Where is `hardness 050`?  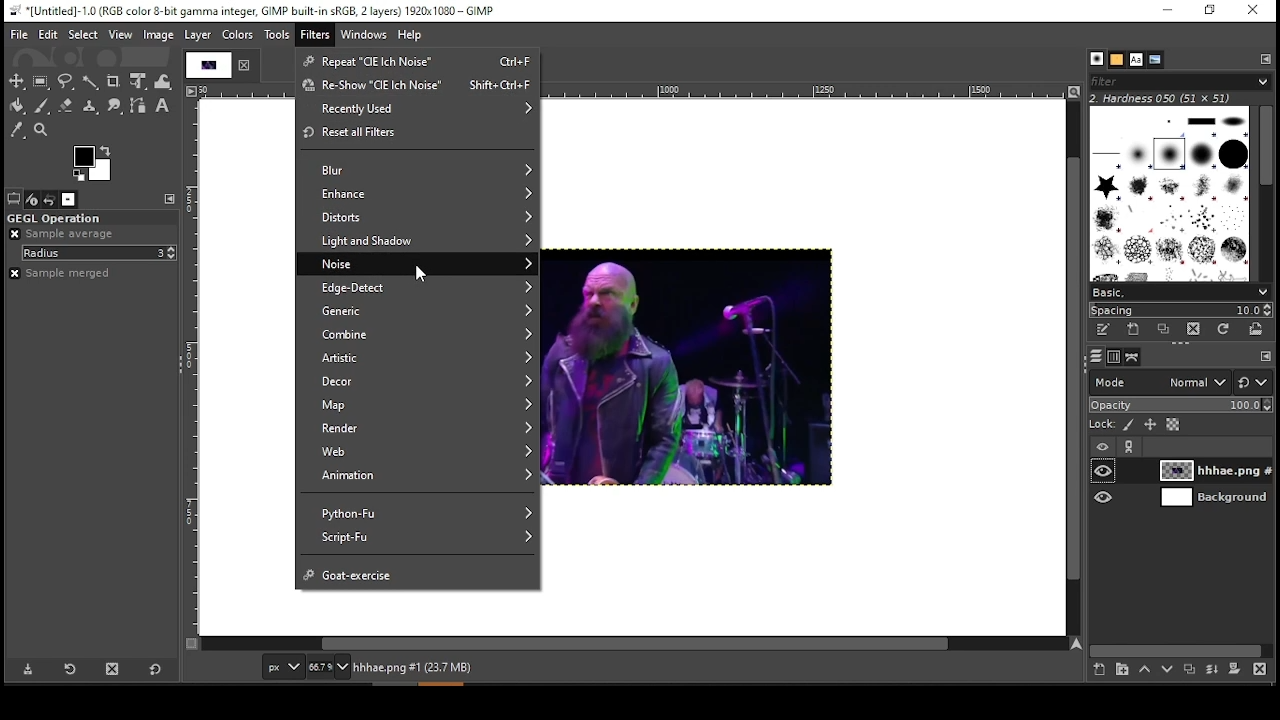 hardness 050 is located at coordinates (1177, 98).